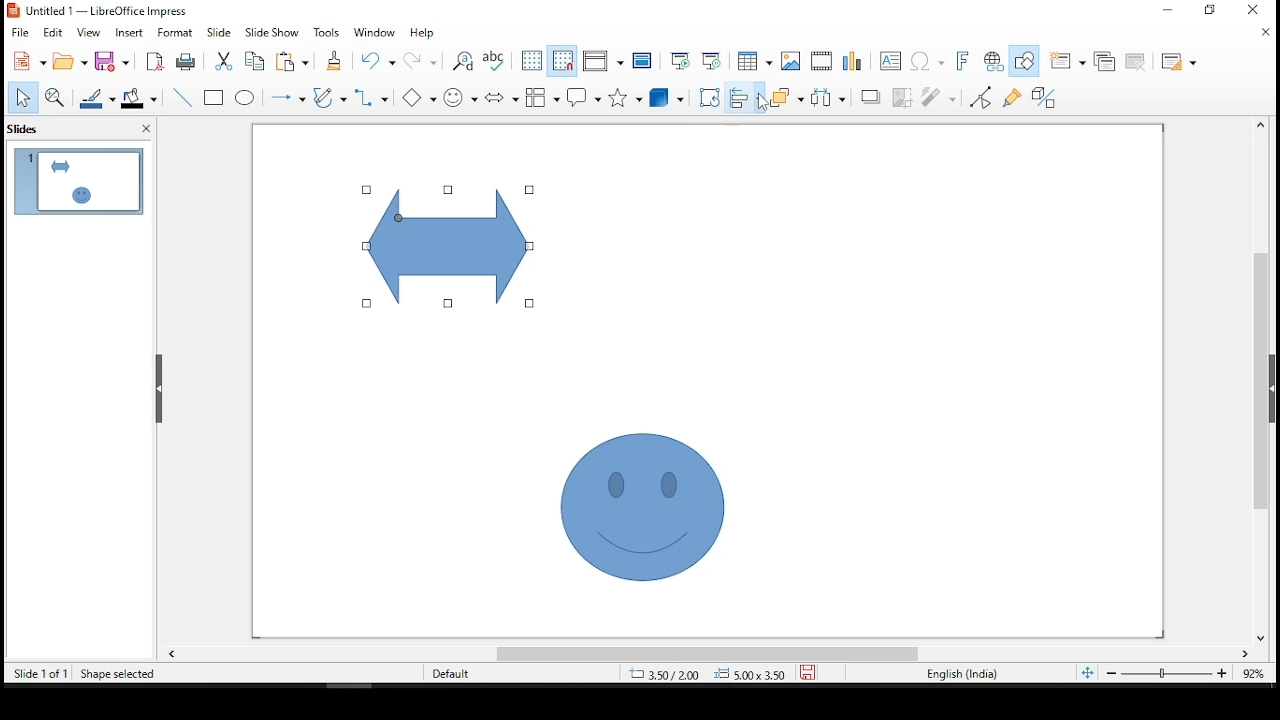 This screenshot has height=720, width=1280. I want to click on start from first slide, so click(680, 60).